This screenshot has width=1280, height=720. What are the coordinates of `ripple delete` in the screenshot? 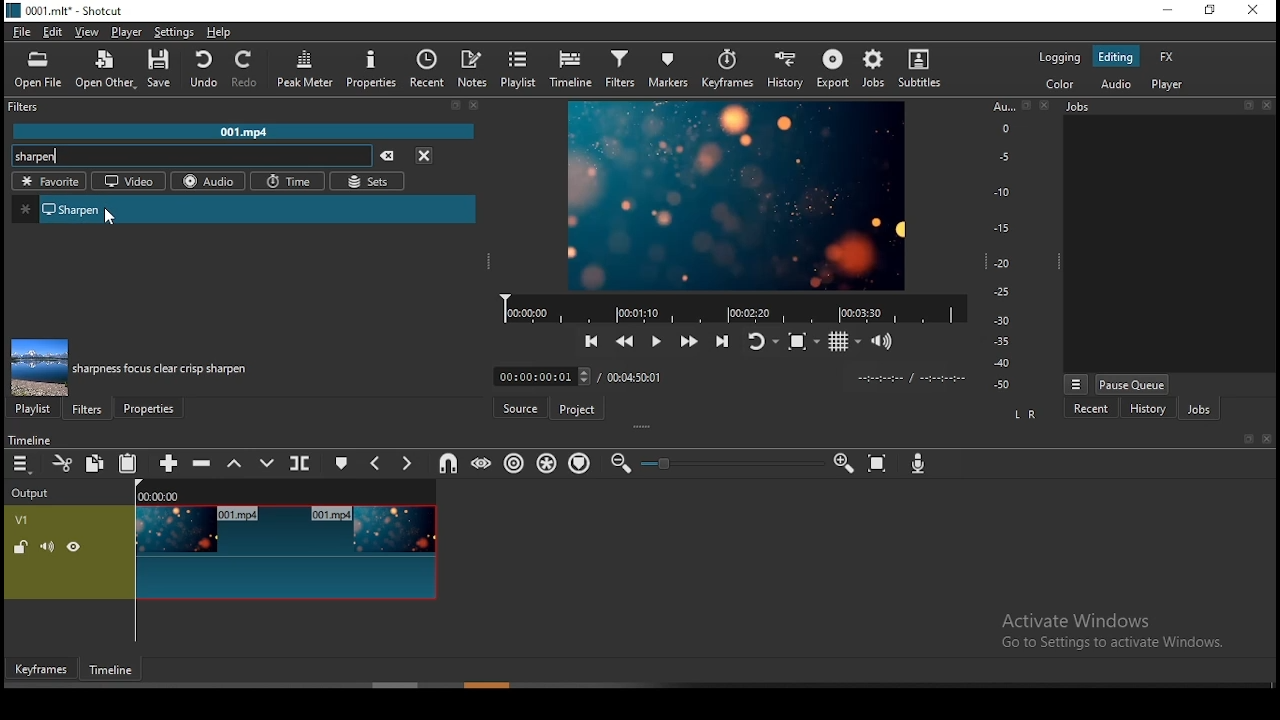 It's located at (200, 464).